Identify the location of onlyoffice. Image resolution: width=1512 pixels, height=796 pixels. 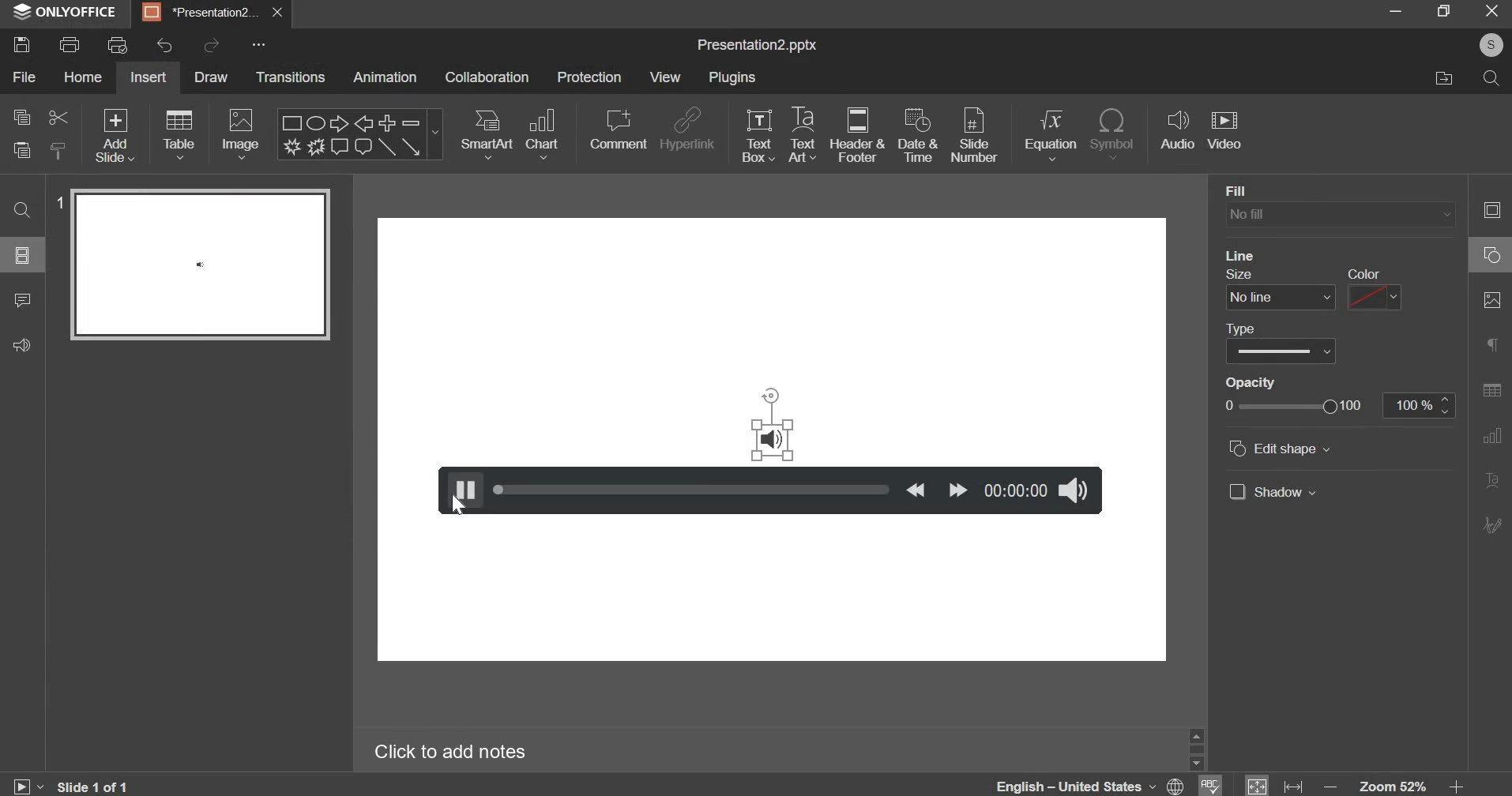
(66, 13).